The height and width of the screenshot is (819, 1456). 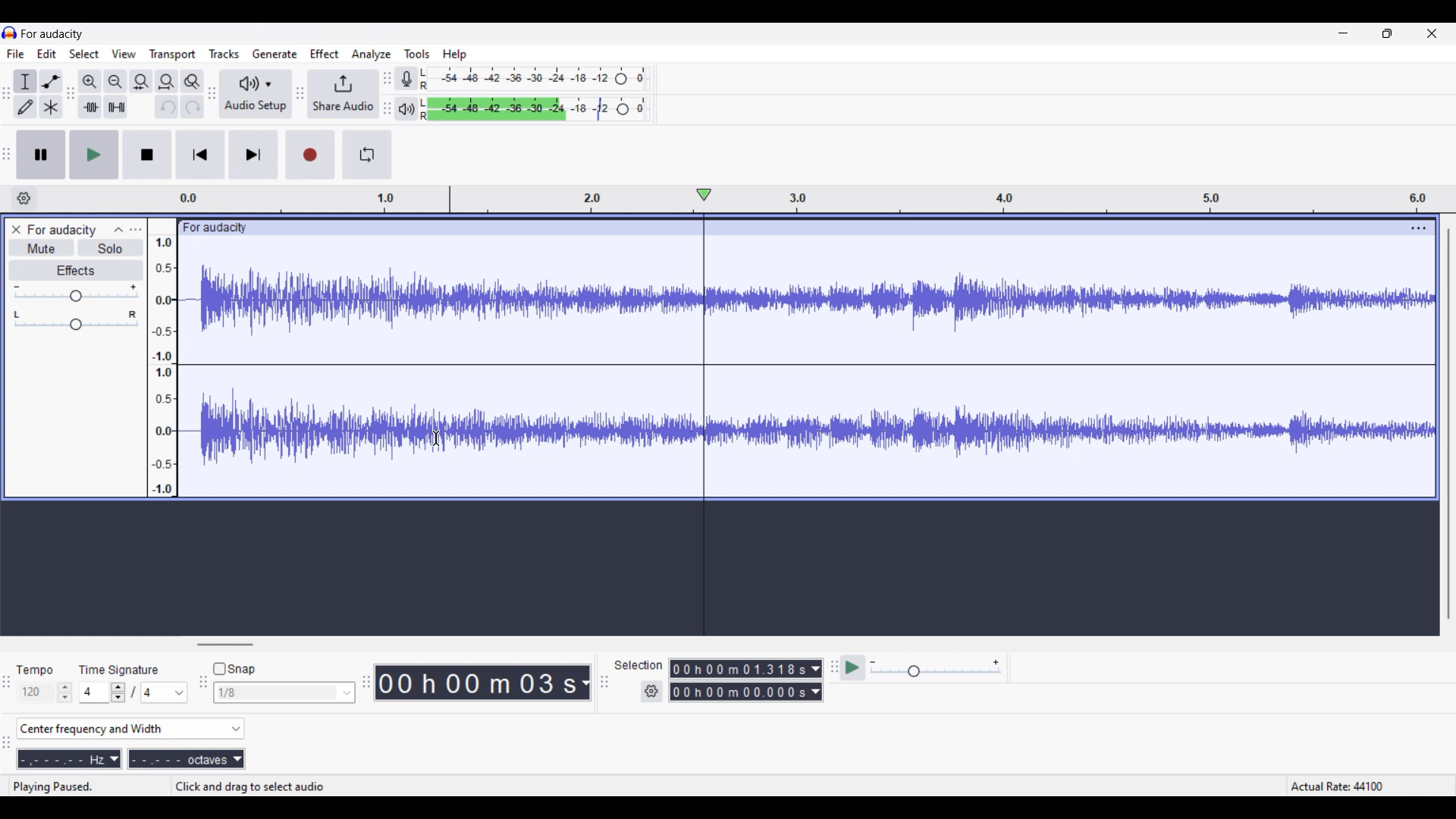 I want to click on Audio setup, so click(x=256, y=93).